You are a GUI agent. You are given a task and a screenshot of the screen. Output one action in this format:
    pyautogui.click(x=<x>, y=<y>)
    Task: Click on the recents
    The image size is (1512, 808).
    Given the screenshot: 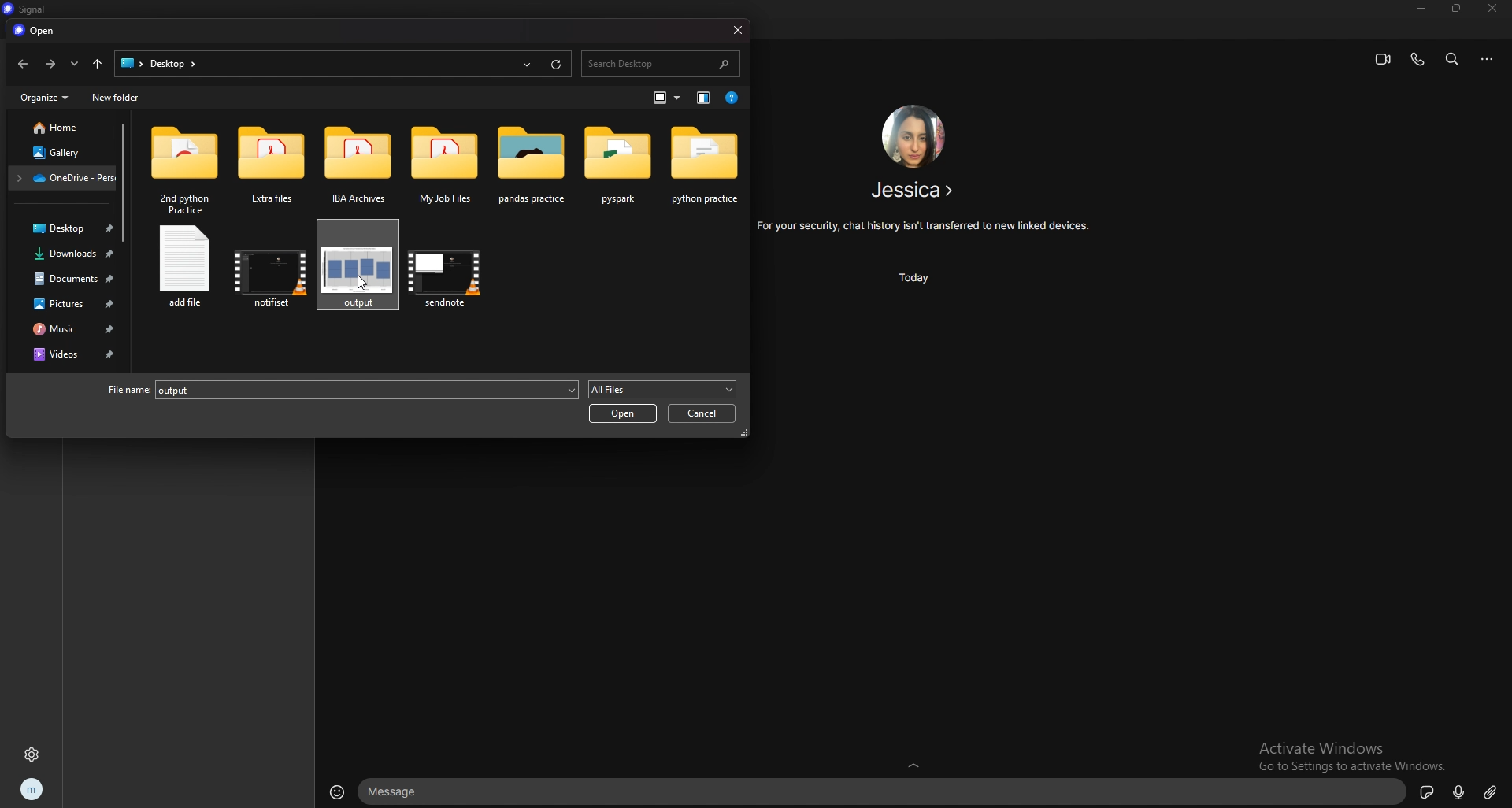 What is the action you would take?
    pyautogui.click(x=528, y=65)
    